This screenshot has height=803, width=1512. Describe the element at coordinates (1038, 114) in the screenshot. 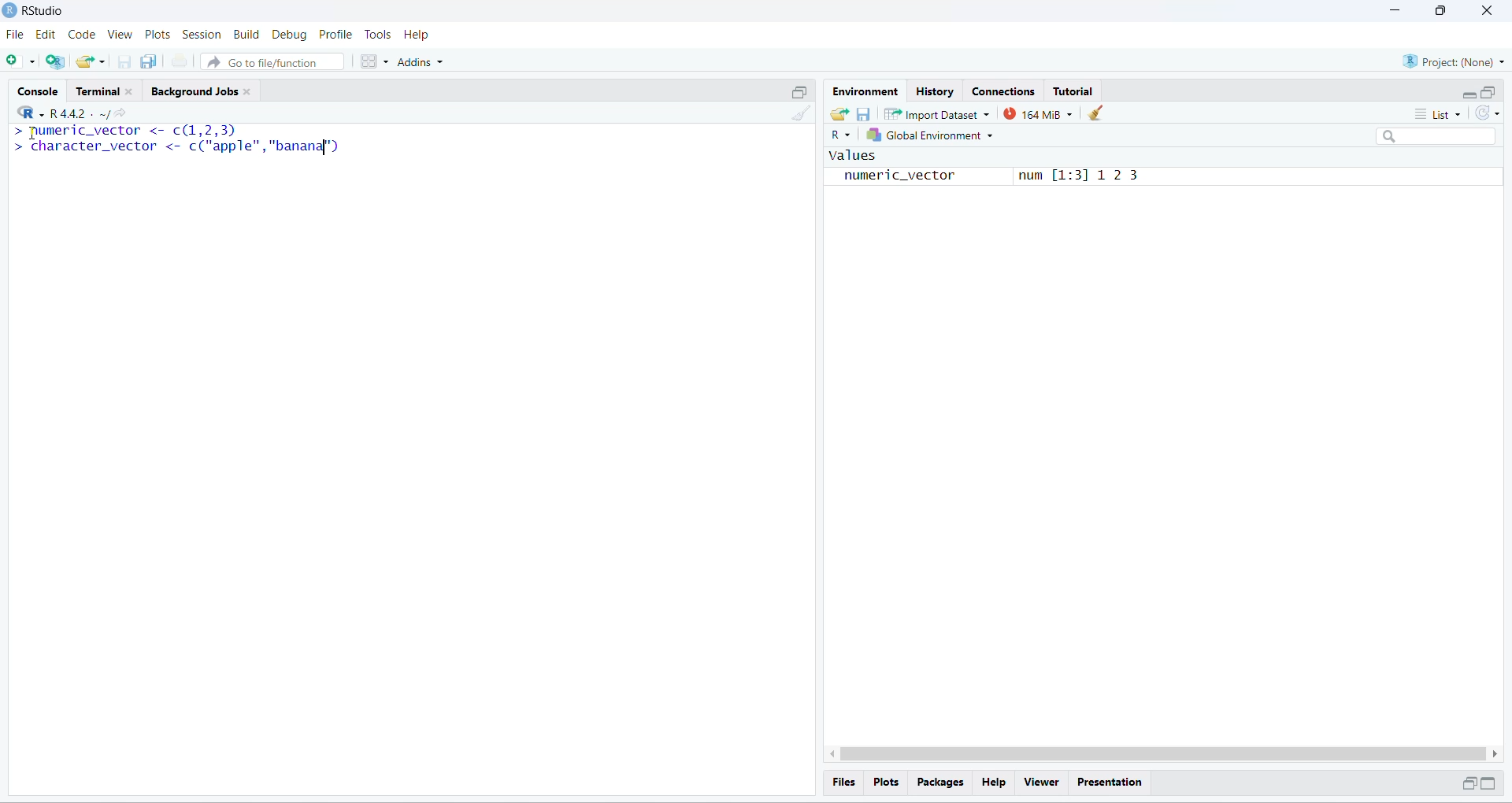

I see `163 MB` at that location.